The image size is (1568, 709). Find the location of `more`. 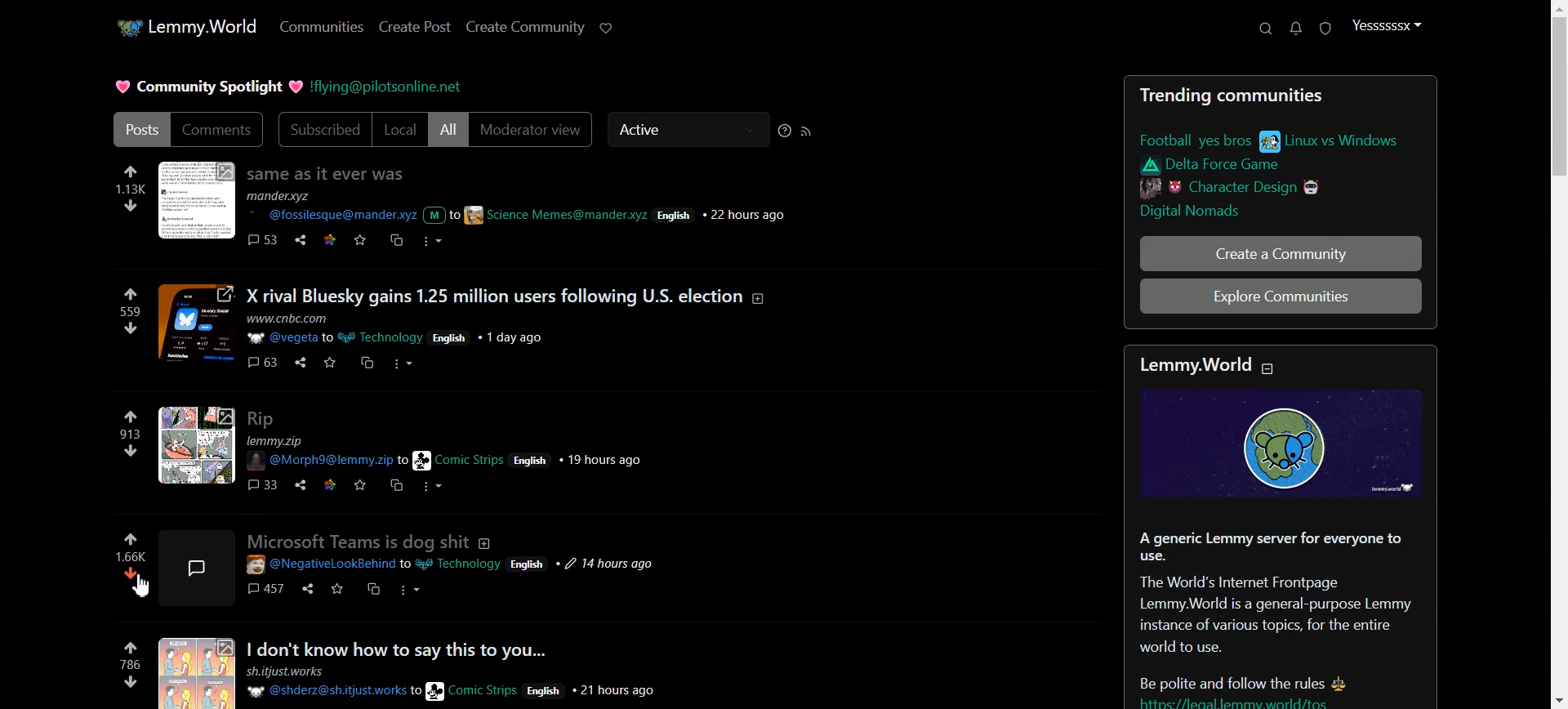

more is located at coordinates (405, 364).